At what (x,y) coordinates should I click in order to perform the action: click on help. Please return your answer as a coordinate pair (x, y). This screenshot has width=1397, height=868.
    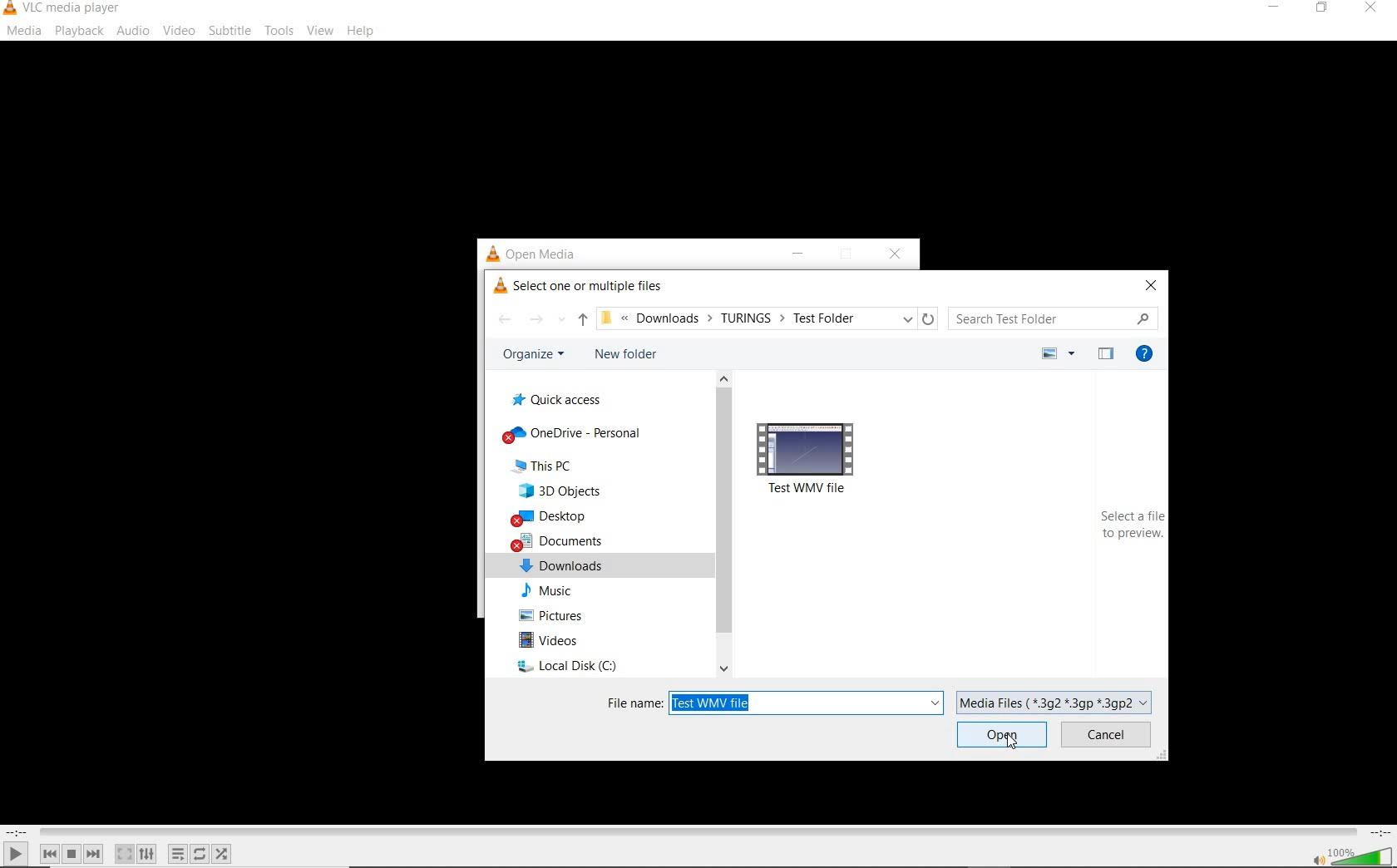
    Looking at the image, I should click on (361, 32).